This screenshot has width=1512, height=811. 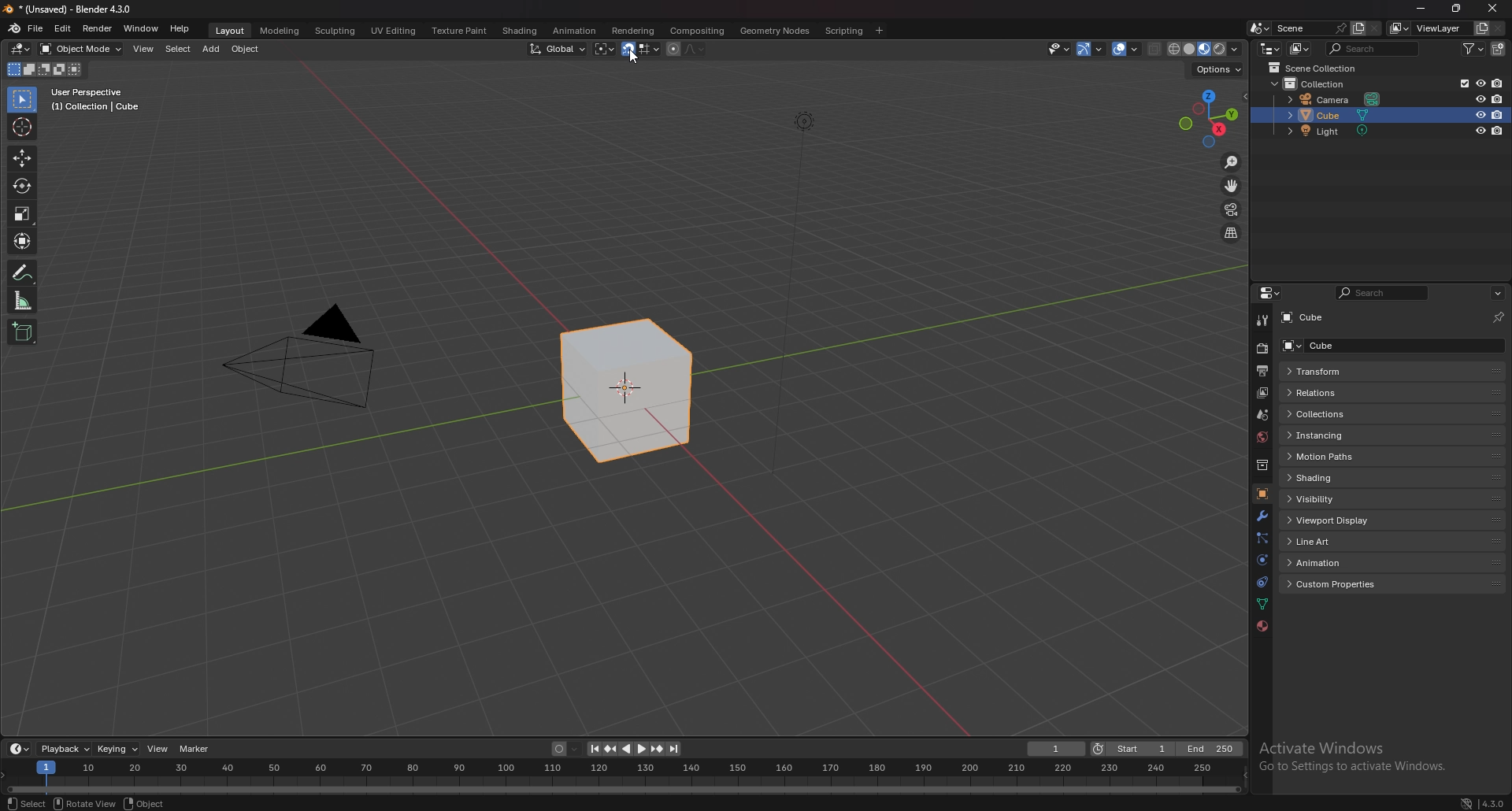 What do you see at coordinates (1271, 293) in the screenshot?
I see `editor type` at bounding box center [1271, 293].